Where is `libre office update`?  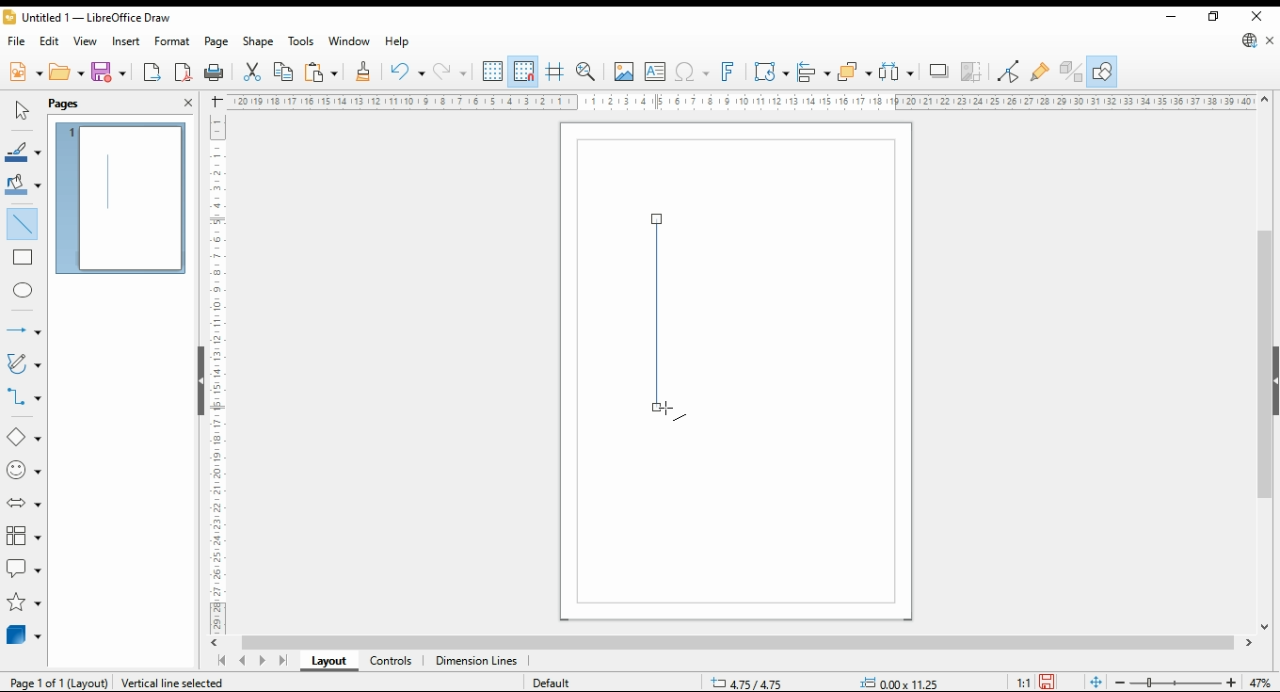
libre office update is located at coordinates (1250, 42).